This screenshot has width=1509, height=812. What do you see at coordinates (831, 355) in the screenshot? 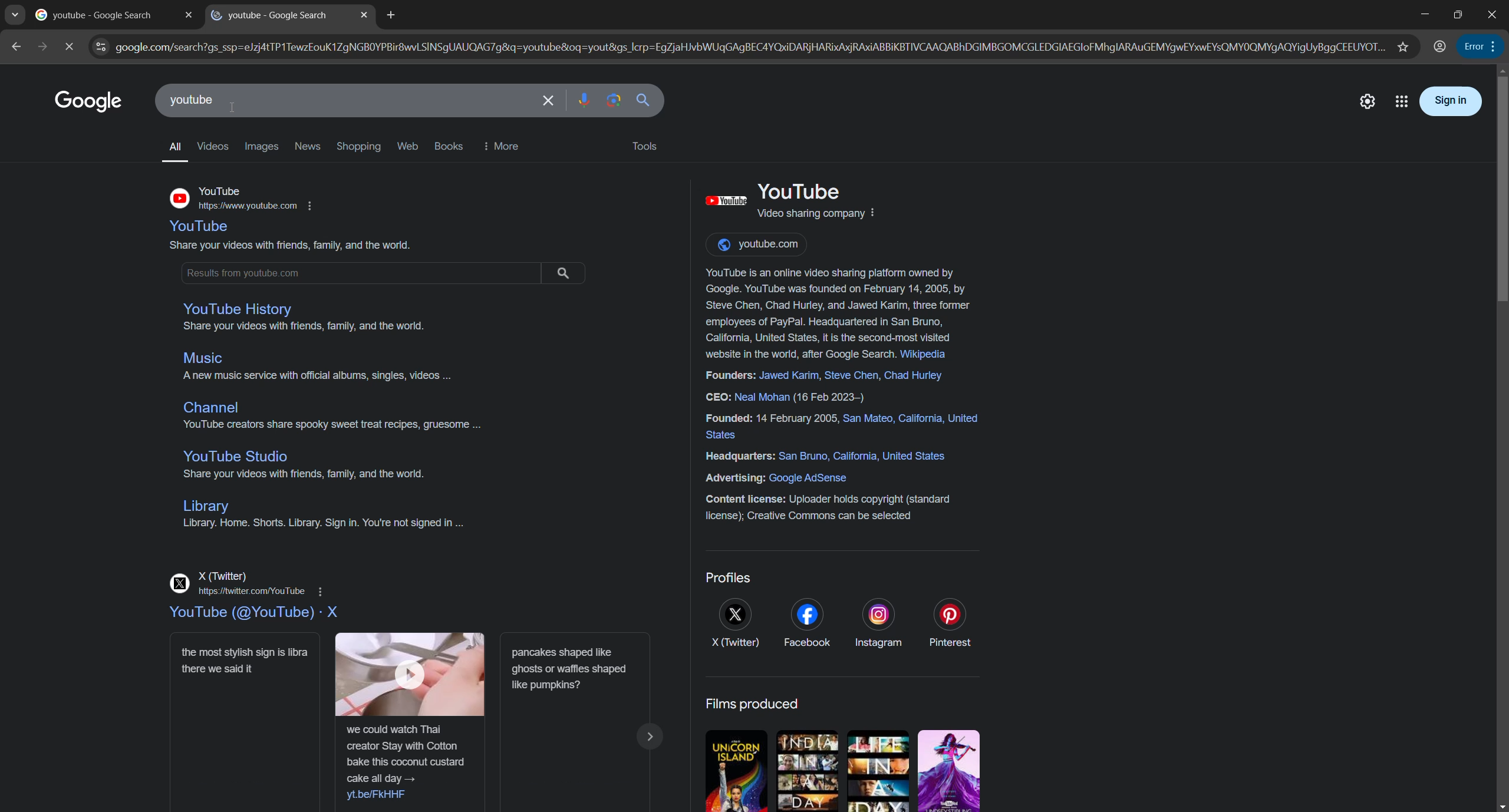
I see `ymme YOUTube
Video sharing company

@® youtube.com
YouTube is an online video sharing platform owned by
Google. YouTube was founded on February 14, 2005, by
Steve Chen, Chad Hurley, and Jawed Karim, three former
employees of PayPal. Headquartered in San Bruno,
California, United States, it is the second-most visited
website in the world, after Google Search. Wikipedia
Founders: Jawed Karim, Steve Chen, Chad Hurley
CEO: Neal Mohan (16 Feb 2023-)
Founded: 14 February 2005, San Mateo, California, United
States
Headquarters: San Bruno, California, United States
Advertising: Google AdSense
Content license: Uploader holds copyright (standard
license); Creative Commons can be selected` at bounding box center [831, 355].